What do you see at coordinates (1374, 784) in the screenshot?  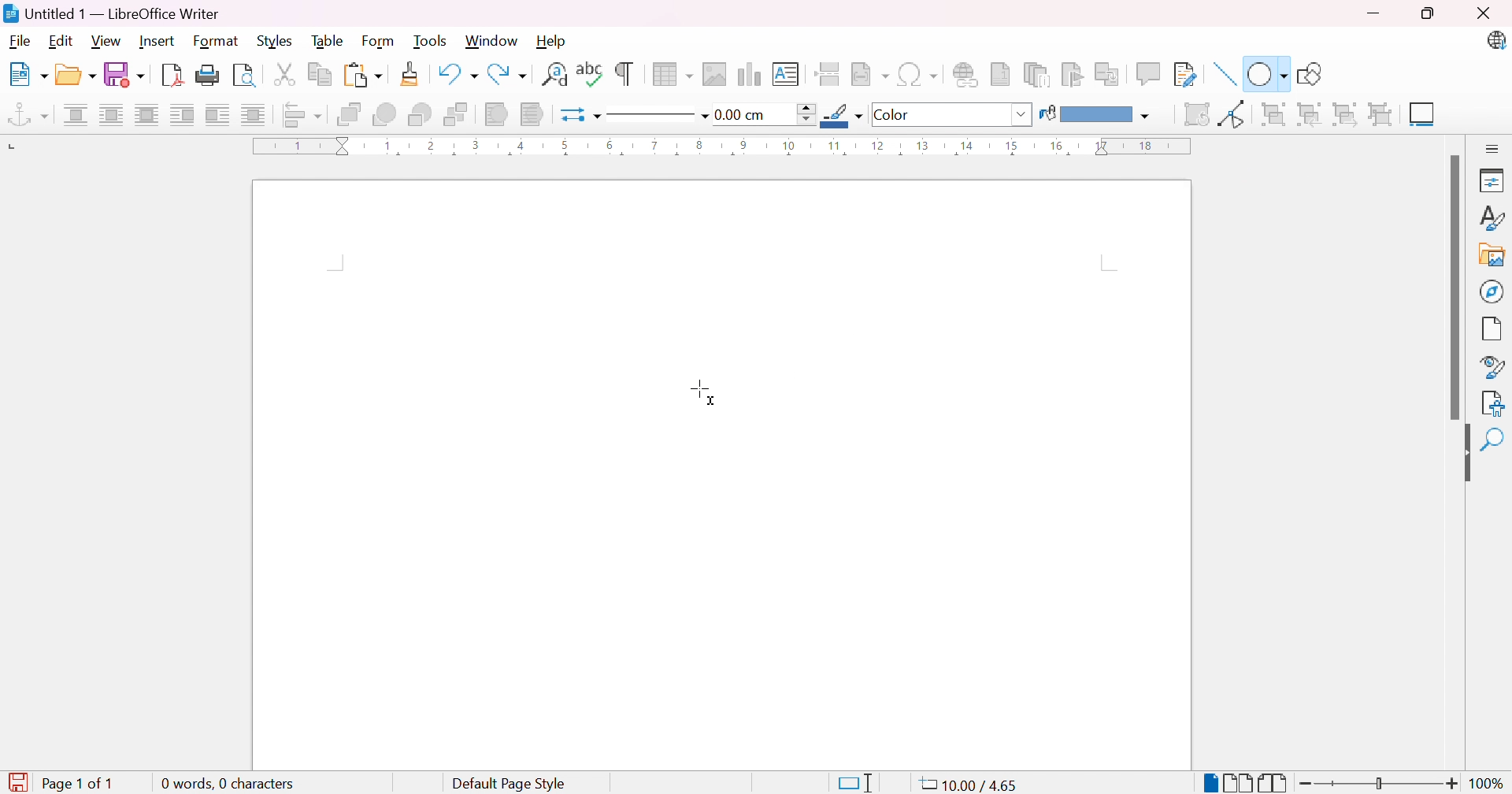 I see `Slider` at bounding box center [1374, 784].